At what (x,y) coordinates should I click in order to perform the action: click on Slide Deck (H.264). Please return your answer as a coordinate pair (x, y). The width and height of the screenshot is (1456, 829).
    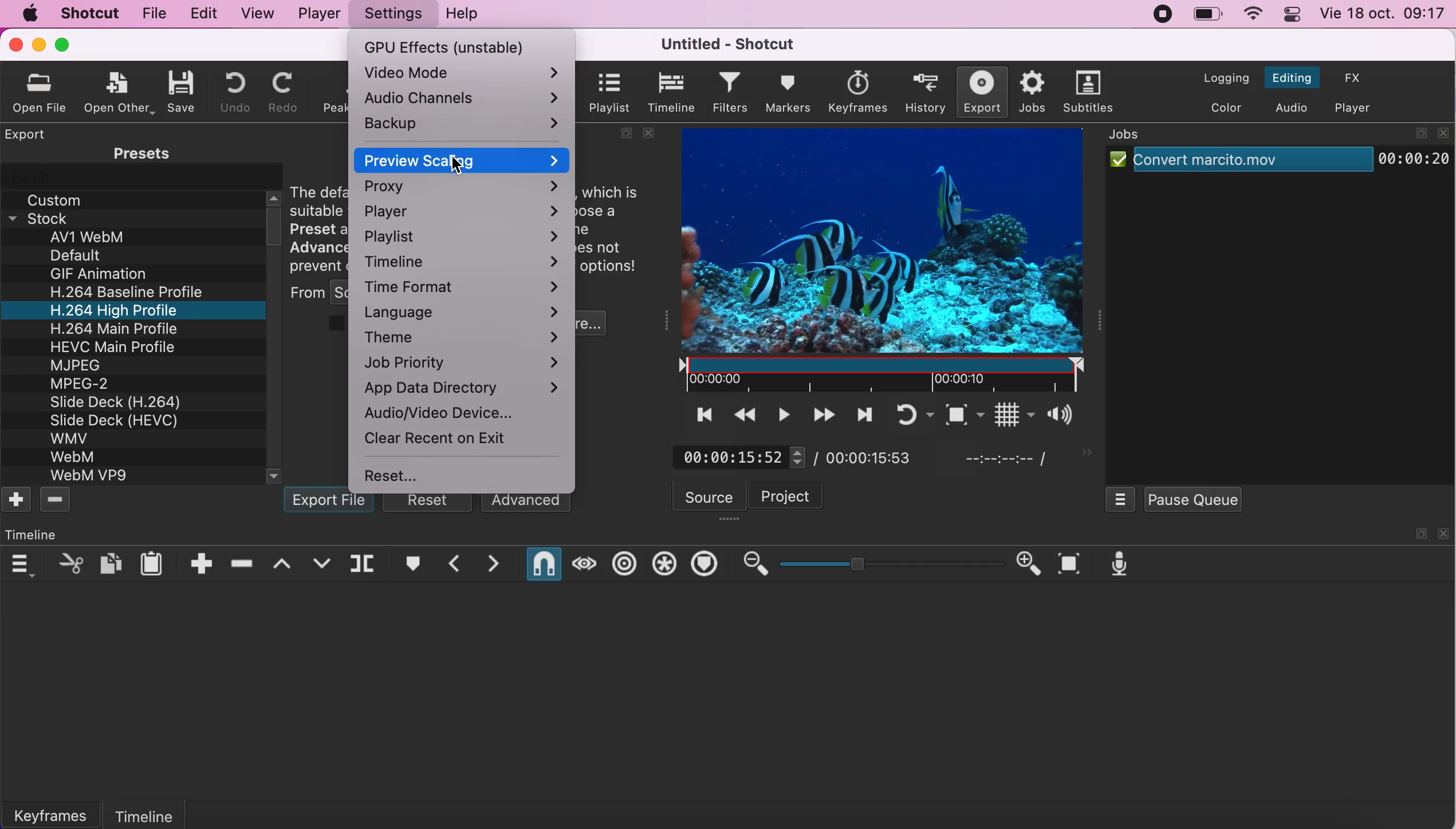
    Looking at the image, I should click on (116, 402).